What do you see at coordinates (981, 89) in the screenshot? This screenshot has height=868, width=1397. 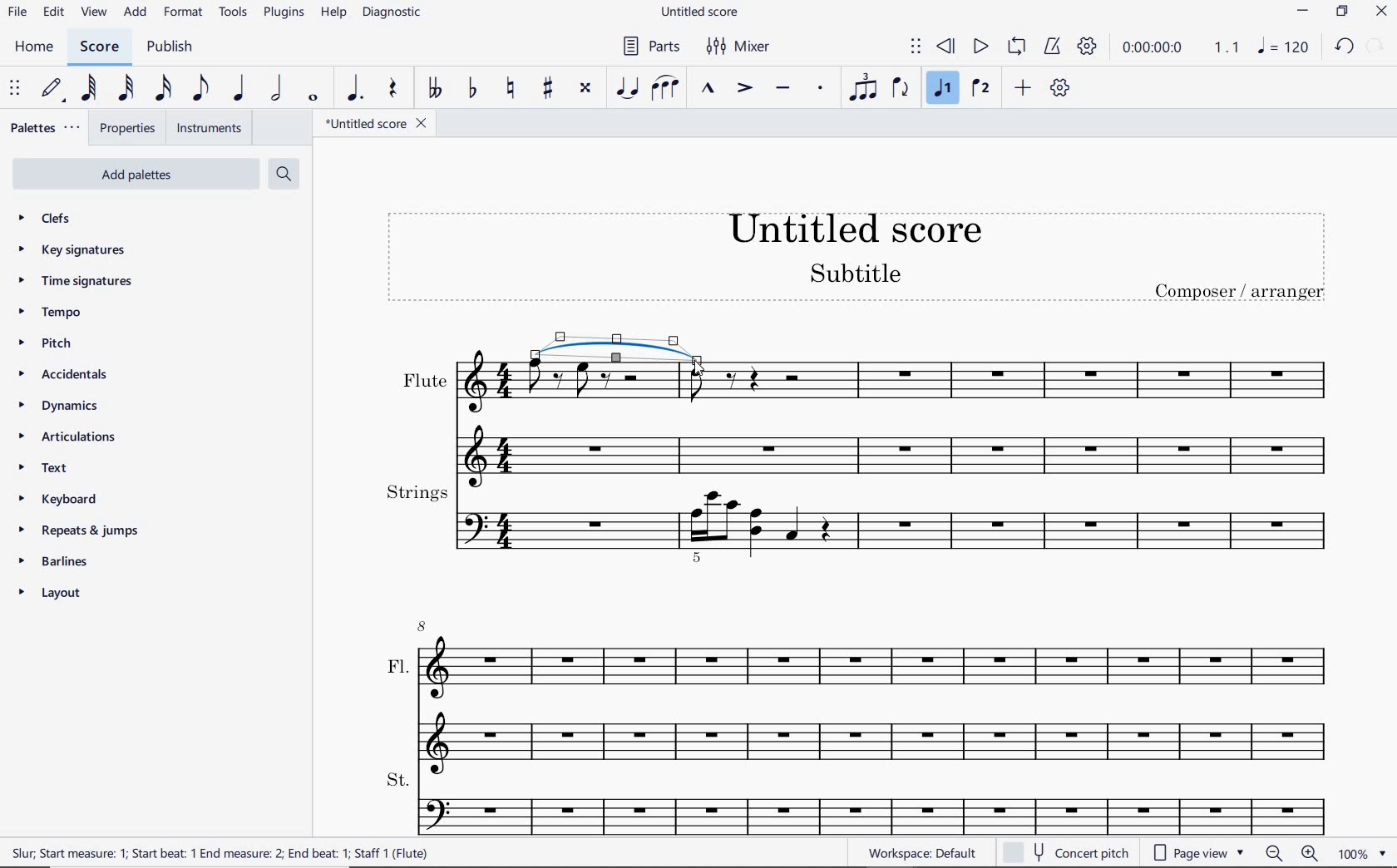 I see `VOICE 2` at bounding box center [981, 89].